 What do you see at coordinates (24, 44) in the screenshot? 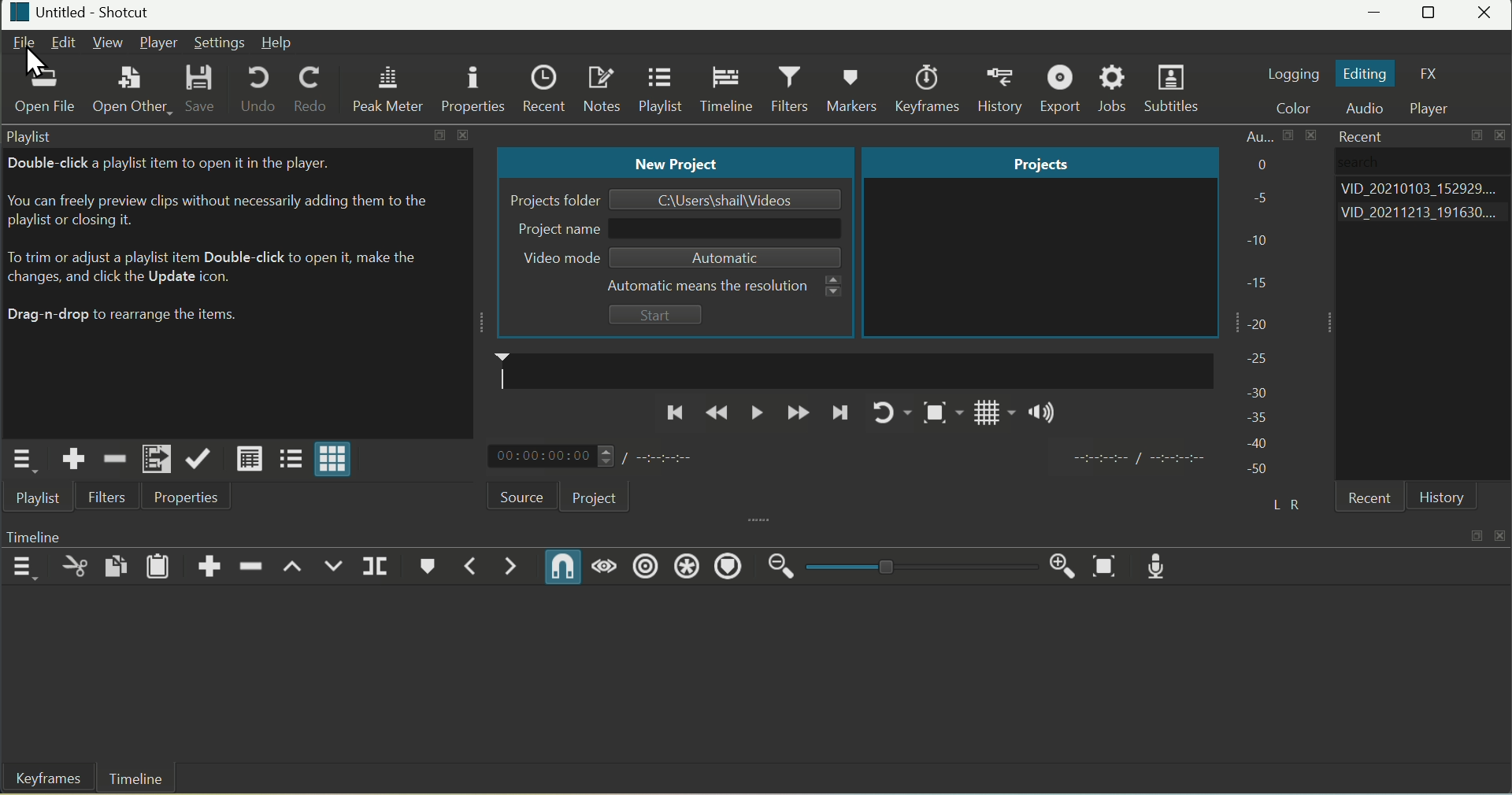
I see `File` at bounding box center [24, 44].